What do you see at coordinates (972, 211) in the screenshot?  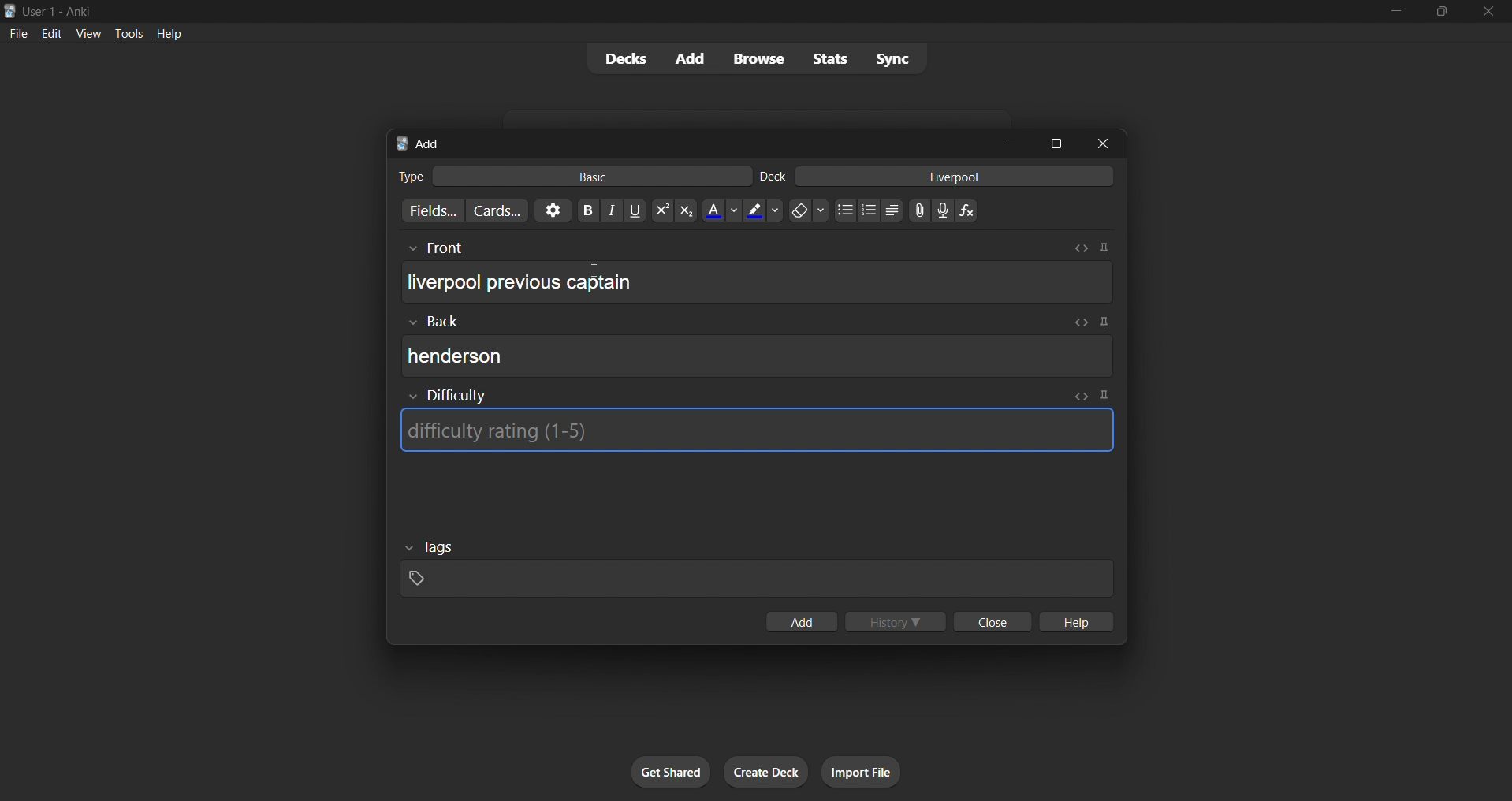 I see `function` at bounding box center [972, 211].